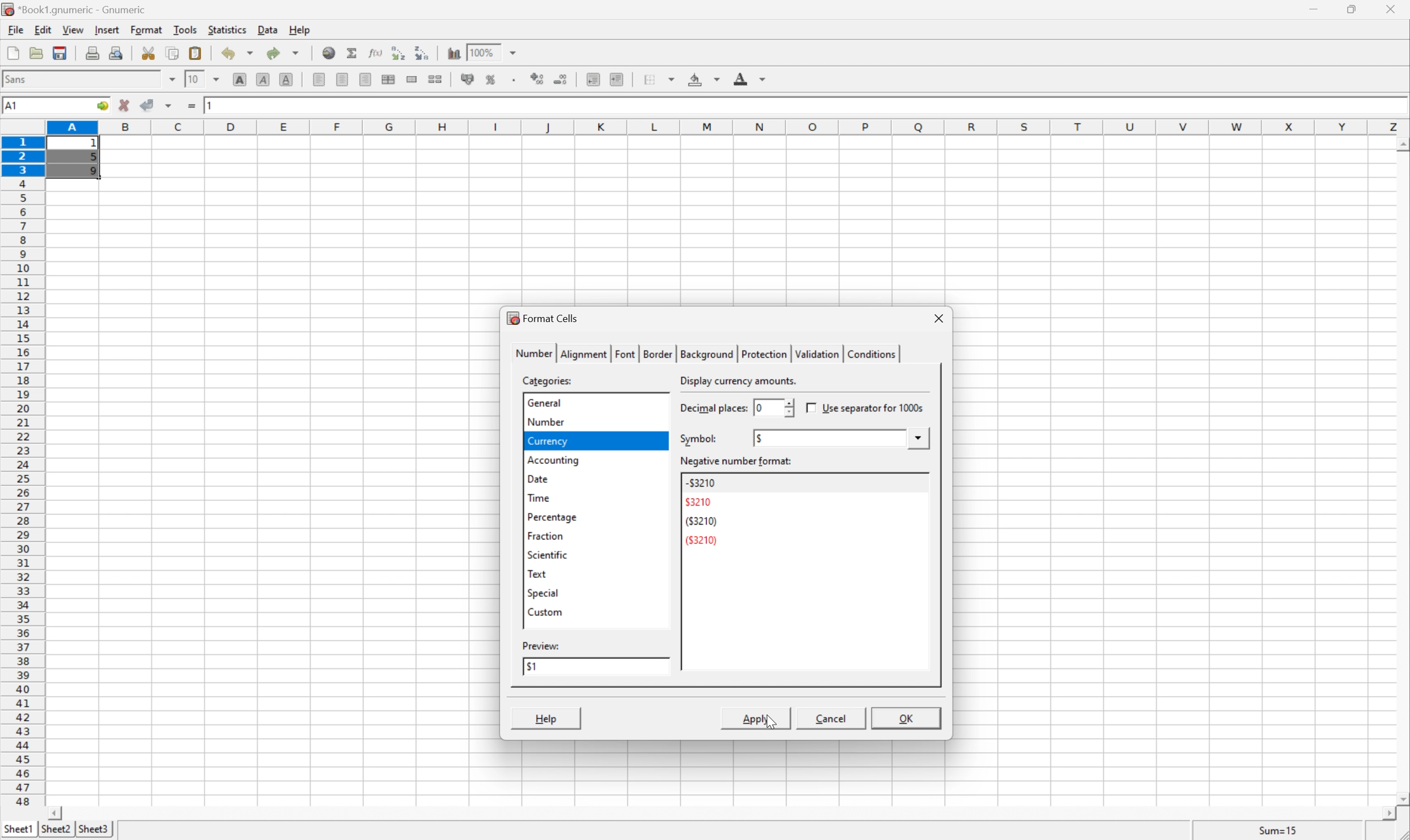 This screenshot has width=1410, height=840. What do you see at coordinates (399, 52) in the screenshot?
I see `Sort the selected region in ascending order based on the first column selected` at bounding box center [399, 52].